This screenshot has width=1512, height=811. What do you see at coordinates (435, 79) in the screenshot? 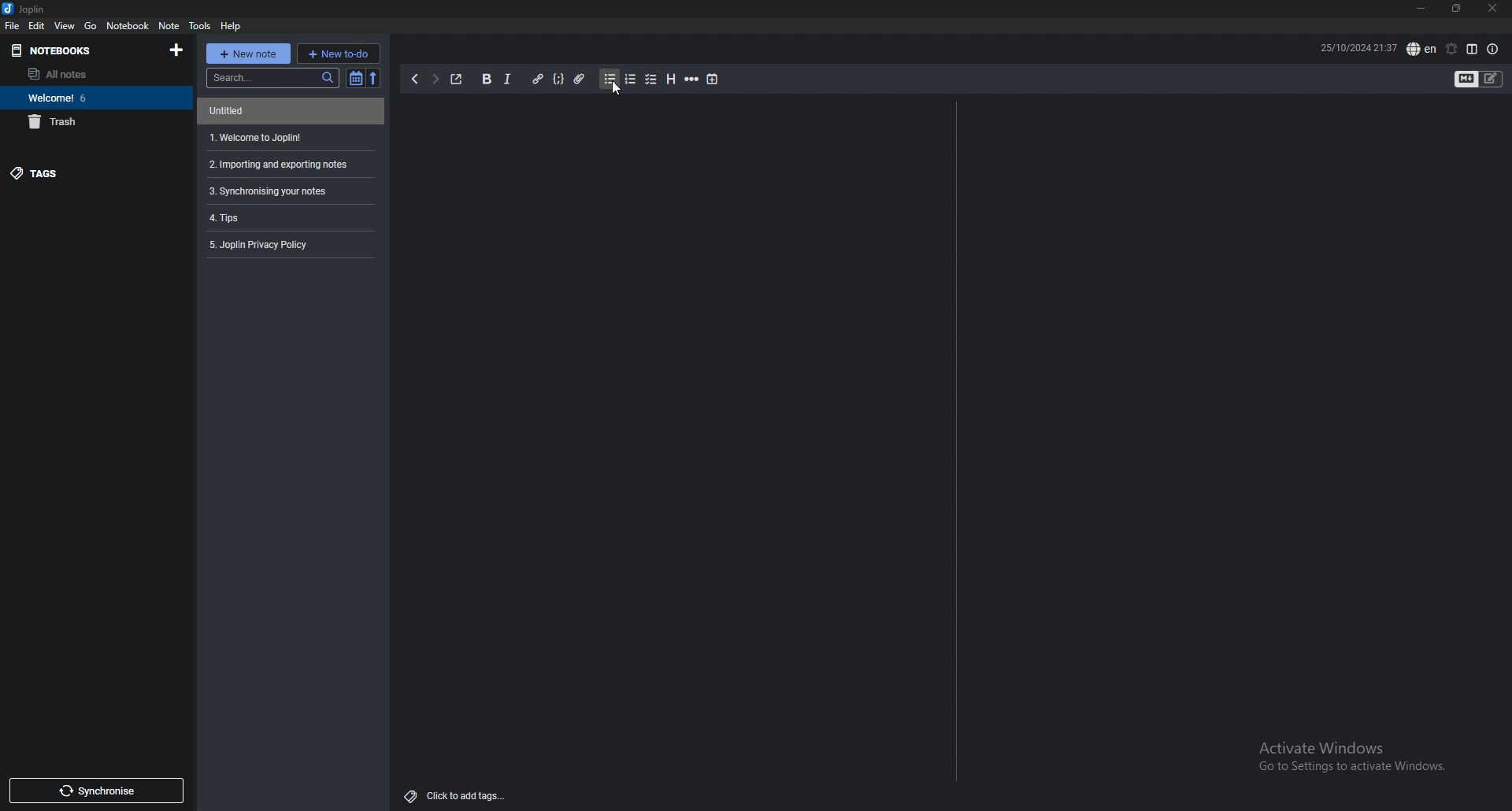
I see `forward` at bounding box center [435, 79].